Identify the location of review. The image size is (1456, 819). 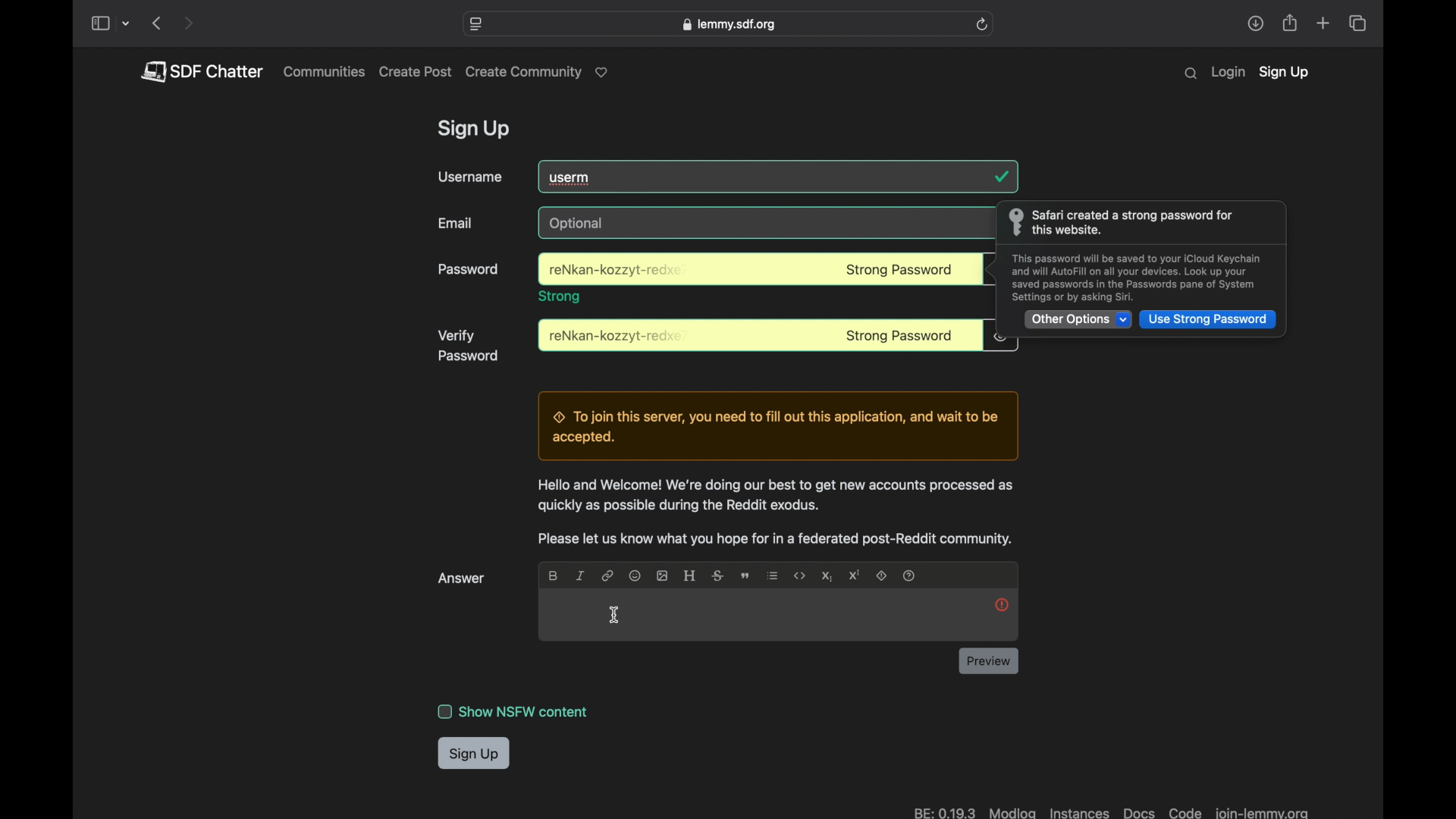
(988, 661).